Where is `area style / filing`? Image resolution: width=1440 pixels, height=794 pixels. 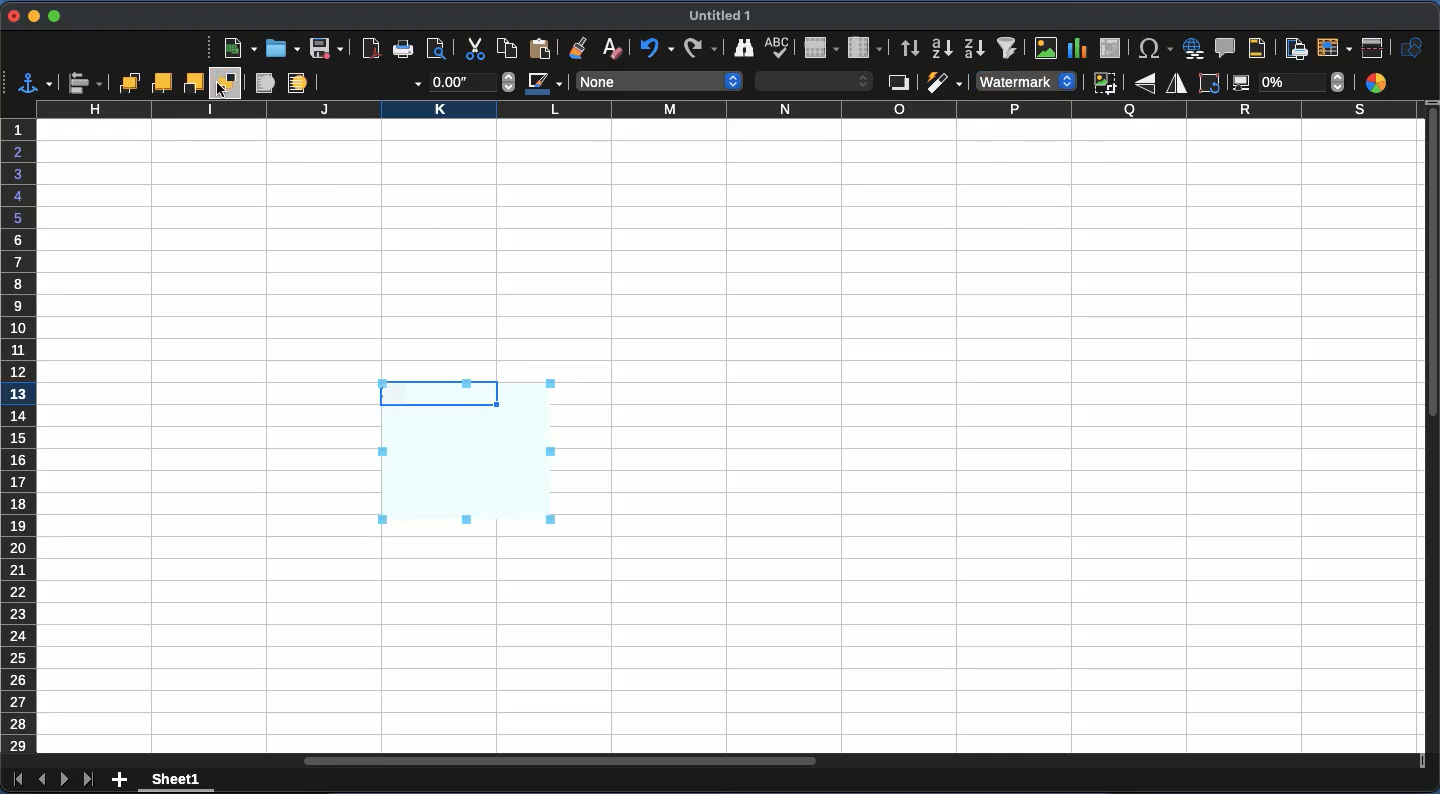 area style / filing is located at coordinates (816, 81).